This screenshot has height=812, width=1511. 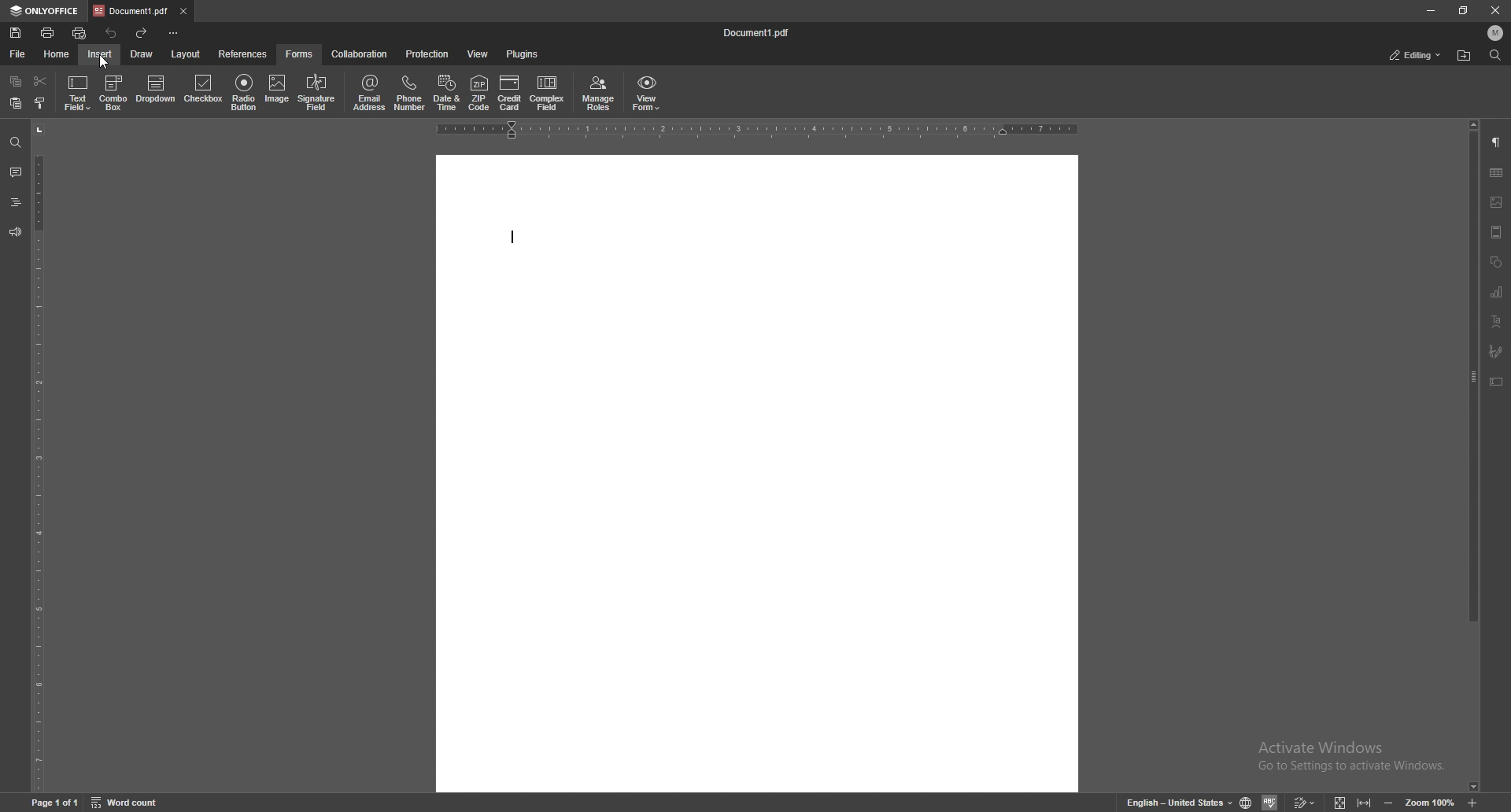 What do you see at coordinates (1474, 802) in the screenshot?
I see `zoom in` at bounding box center [1474, 802].